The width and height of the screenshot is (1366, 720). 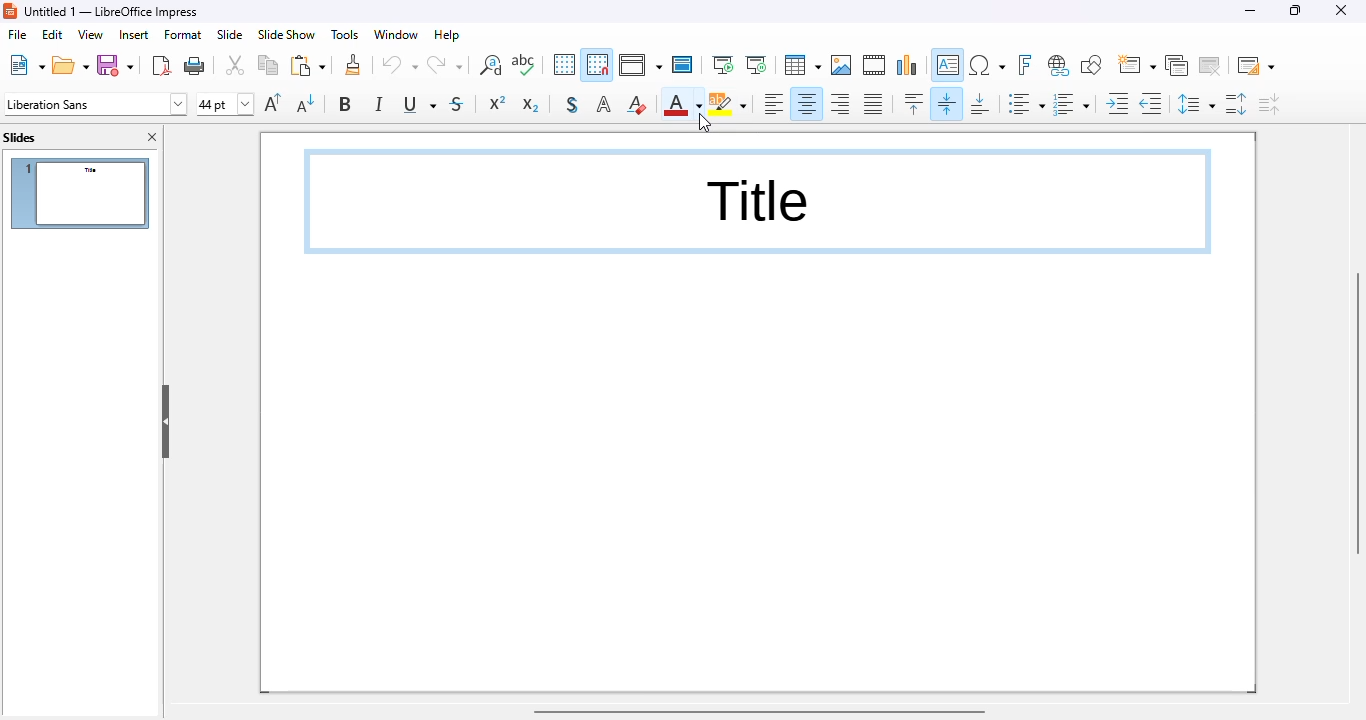 I want to click on close, so click(x=1341, y=10).